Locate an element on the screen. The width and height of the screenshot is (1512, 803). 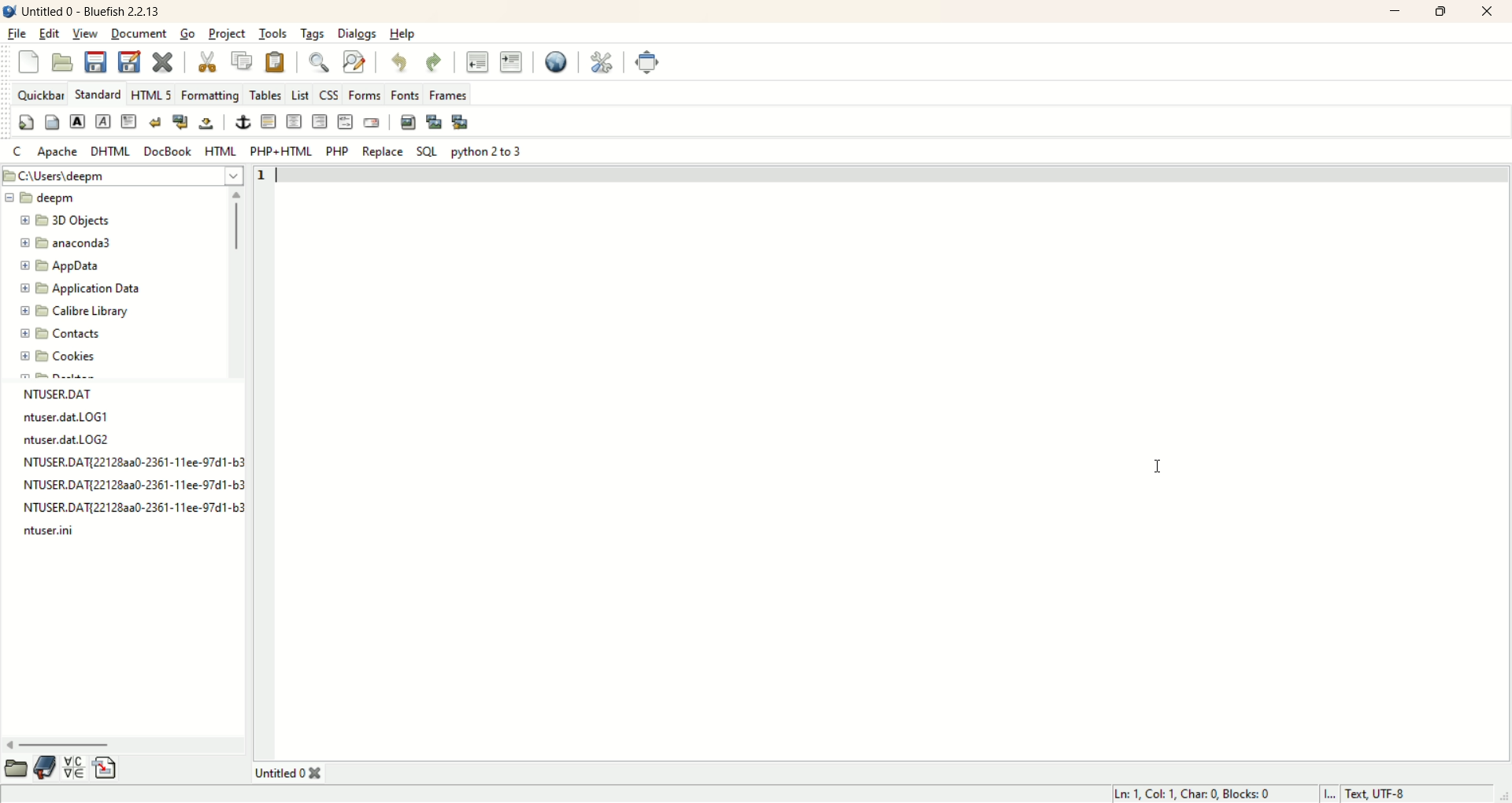
forms is located at coordinates (365, 95).